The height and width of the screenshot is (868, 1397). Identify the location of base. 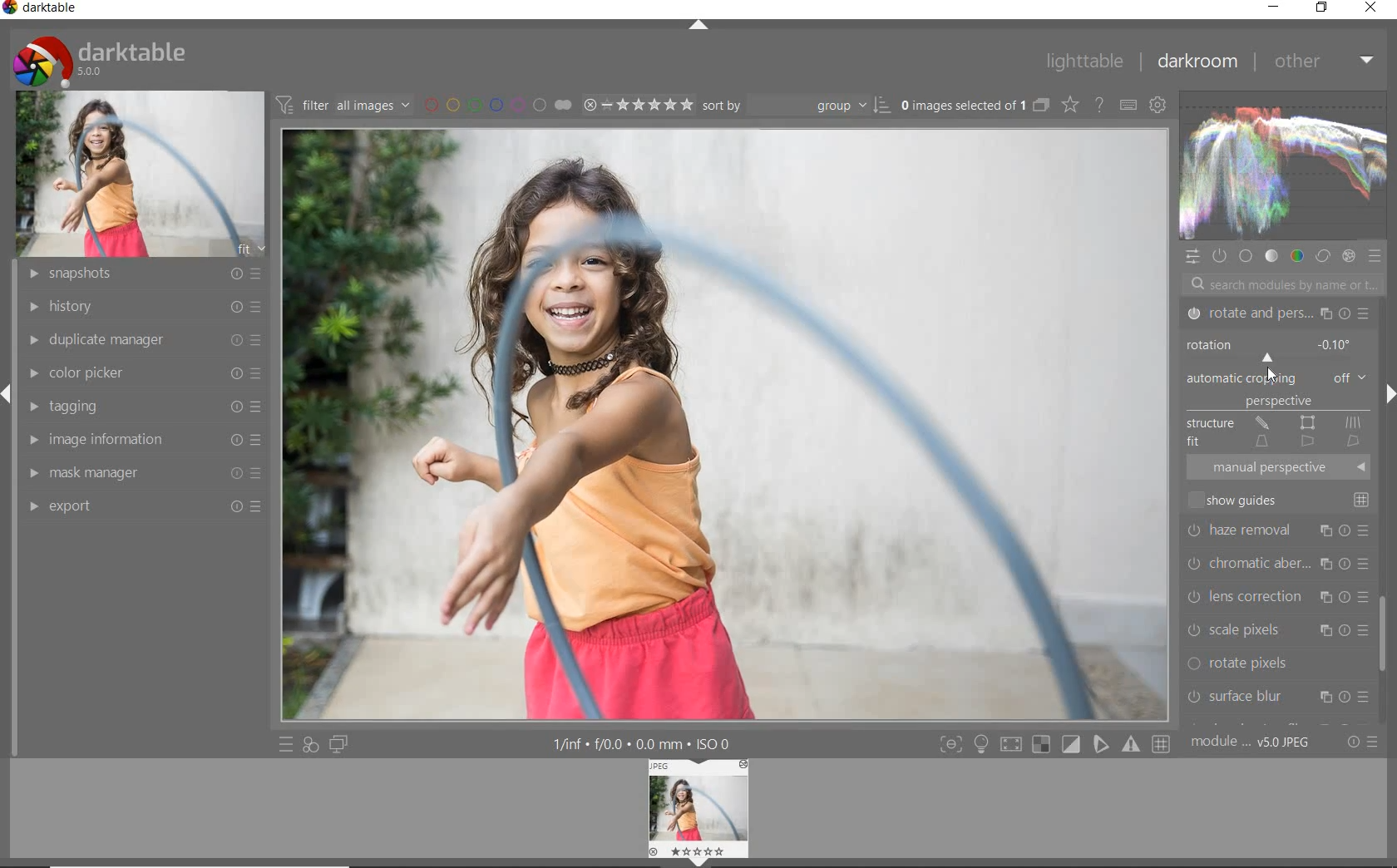
(1246, 257).